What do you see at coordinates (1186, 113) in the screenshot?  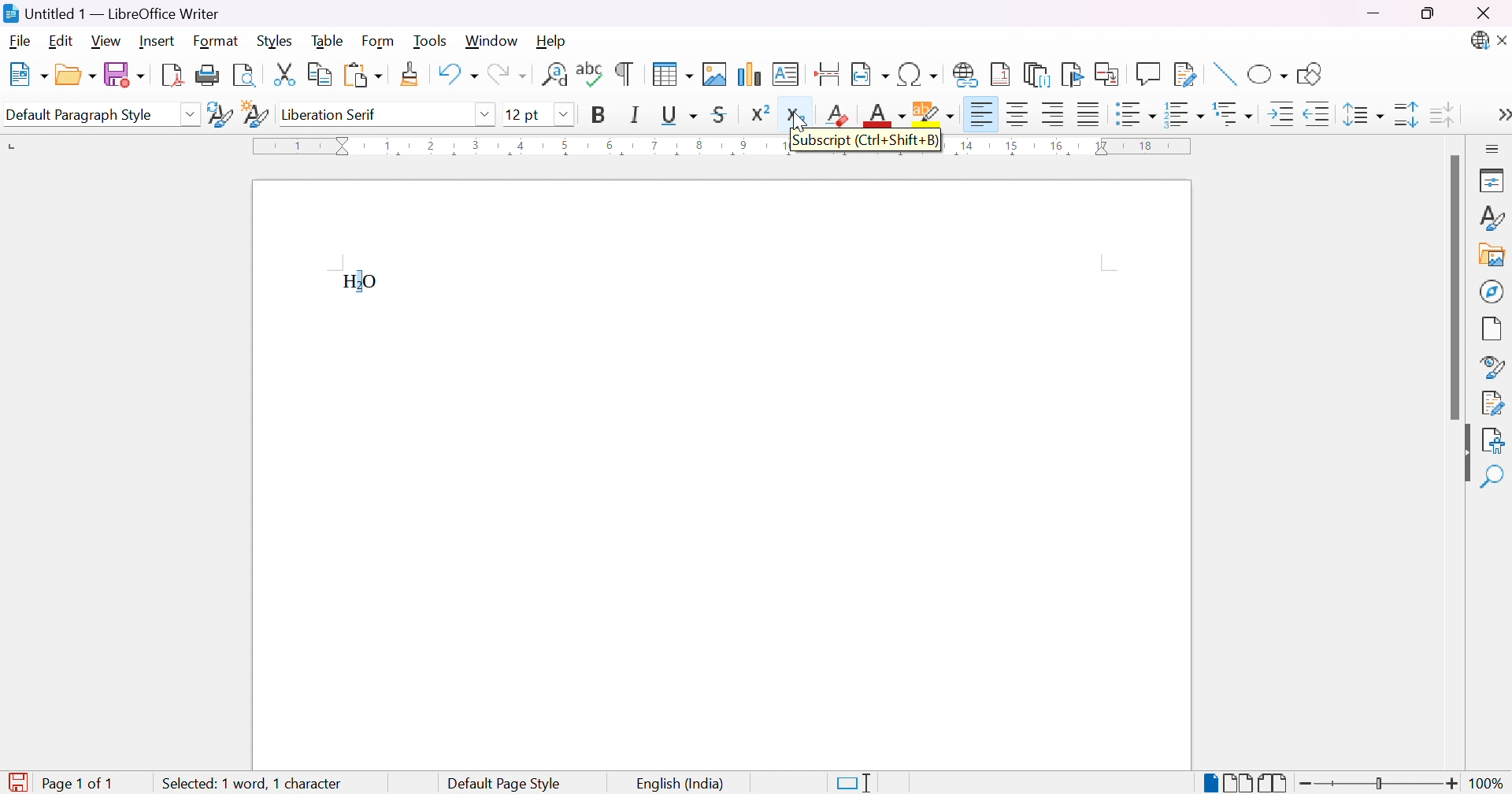 I see `Toggle ordered list` at bounding box center [1186, 113].